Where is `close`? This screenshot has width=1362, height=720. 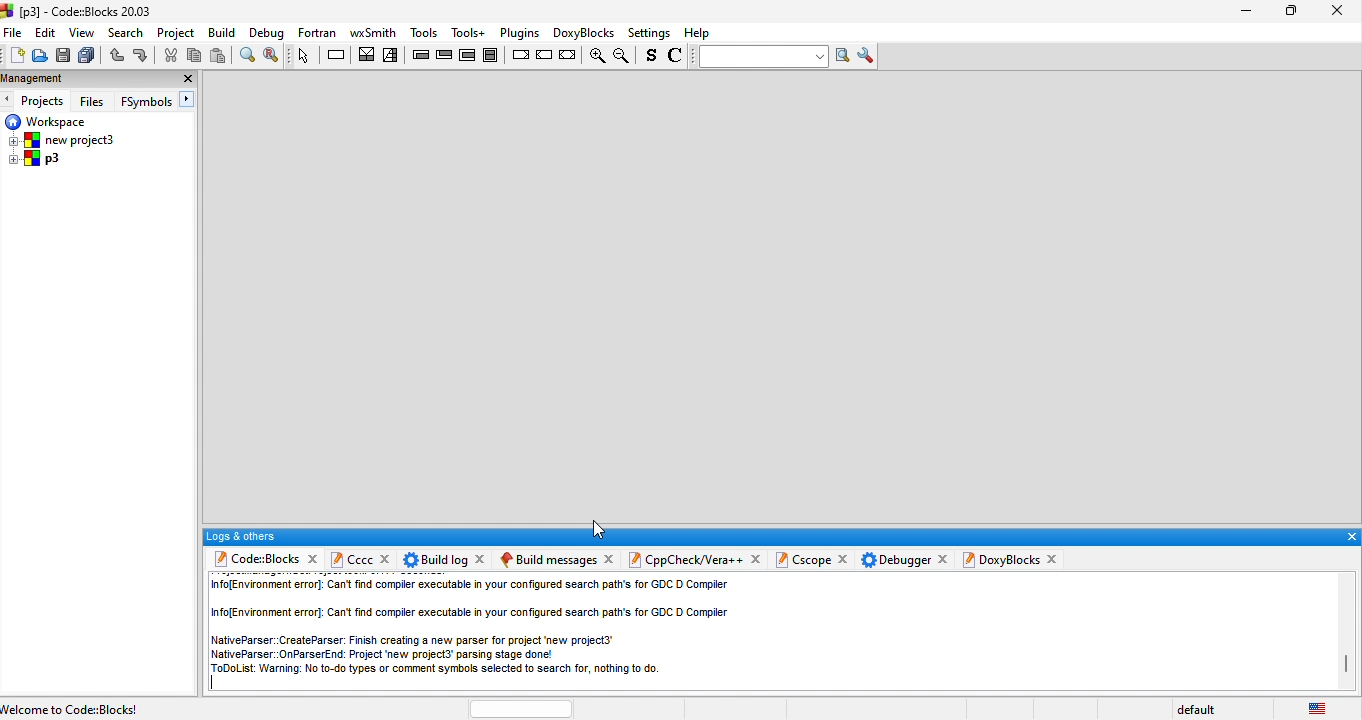 close is located at coordinates (941, 560).